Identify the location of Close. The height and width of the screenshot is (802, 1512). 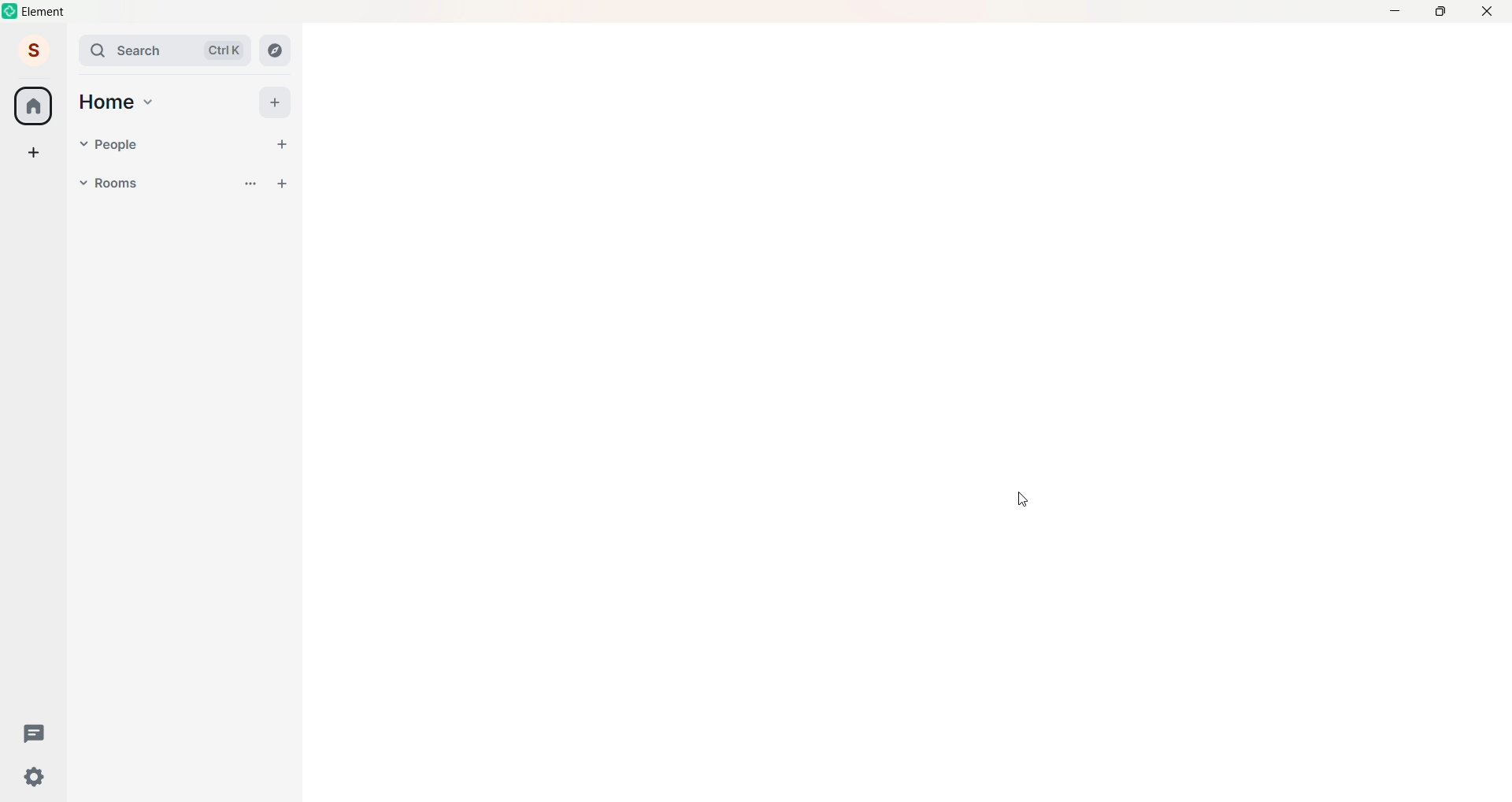
(1485, 12).